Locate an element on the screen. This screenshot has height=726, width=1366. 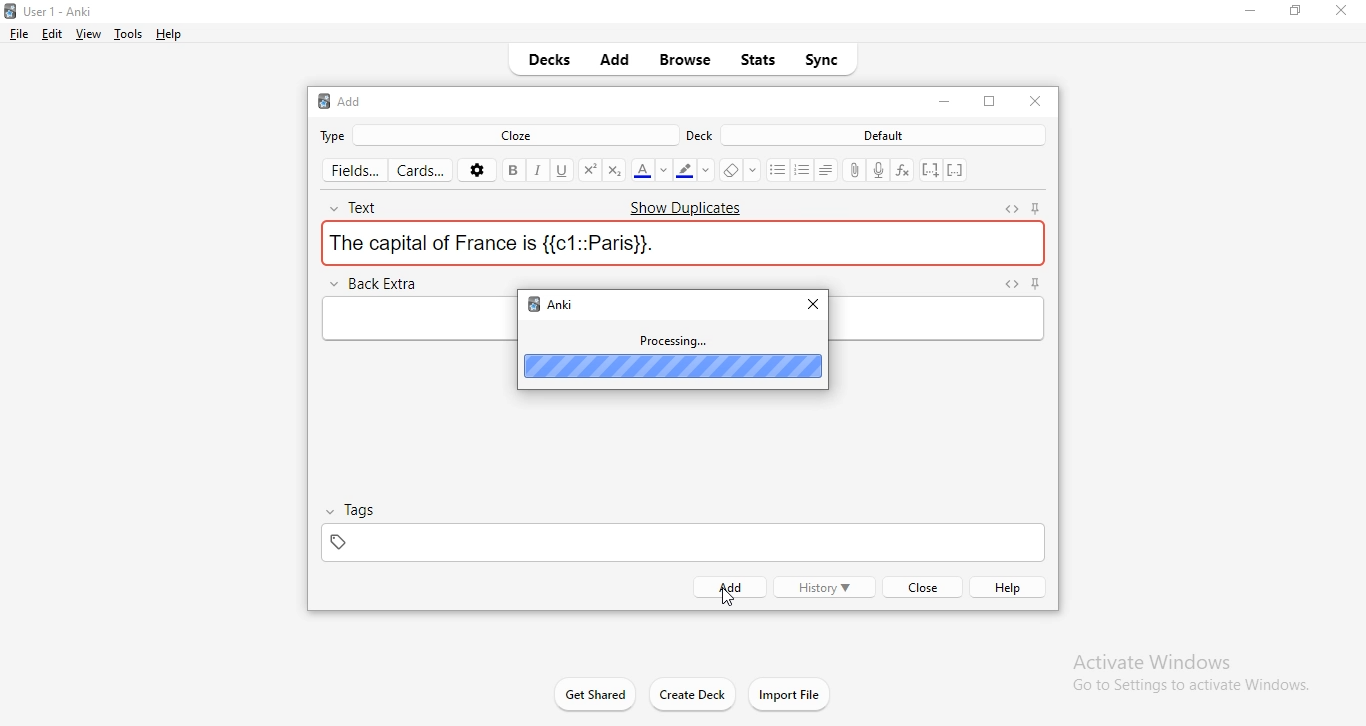
italics is located at coordinates (540, 170).